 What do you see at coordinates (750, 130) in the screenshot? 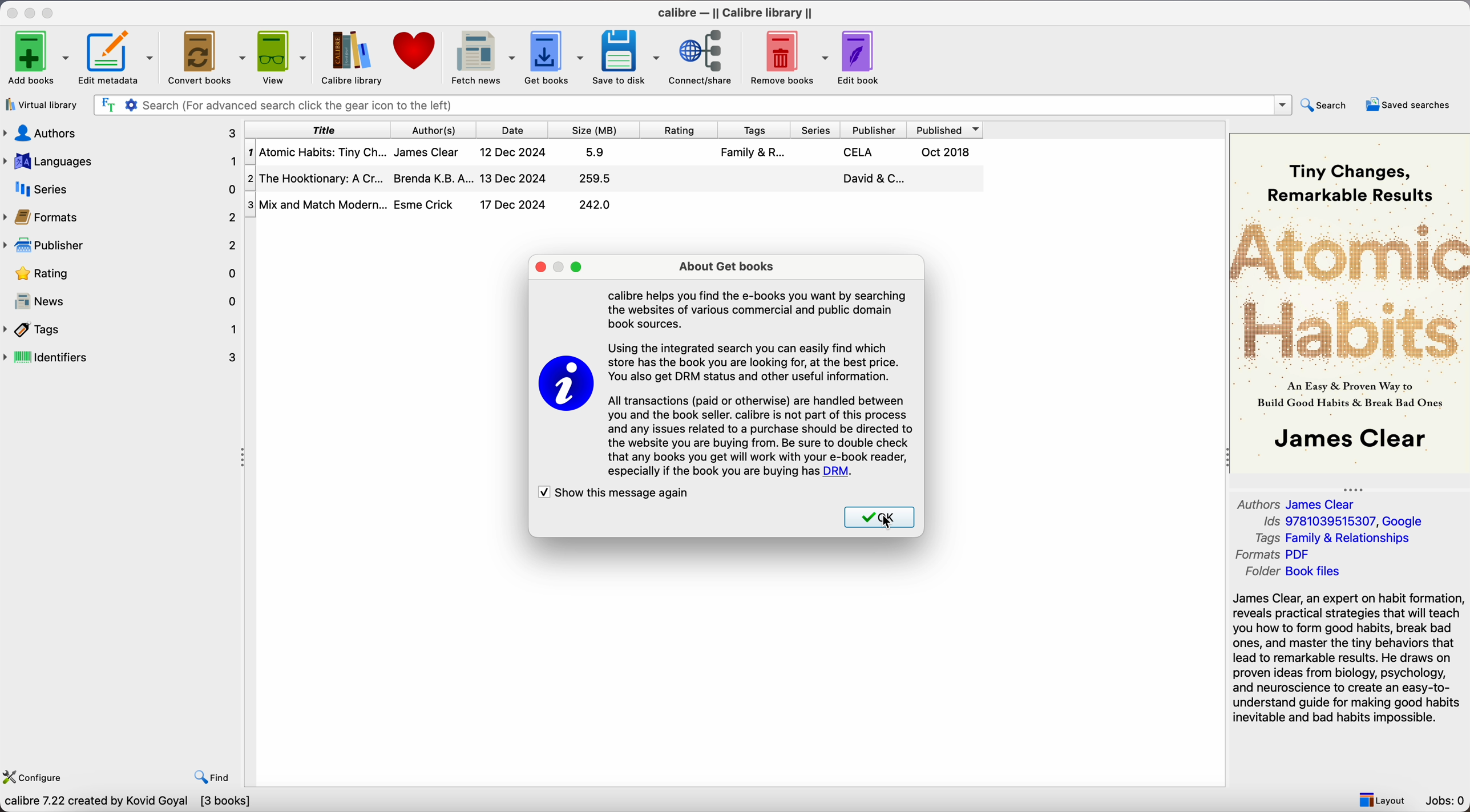
I see `tags` at bounding box center [750, 130].